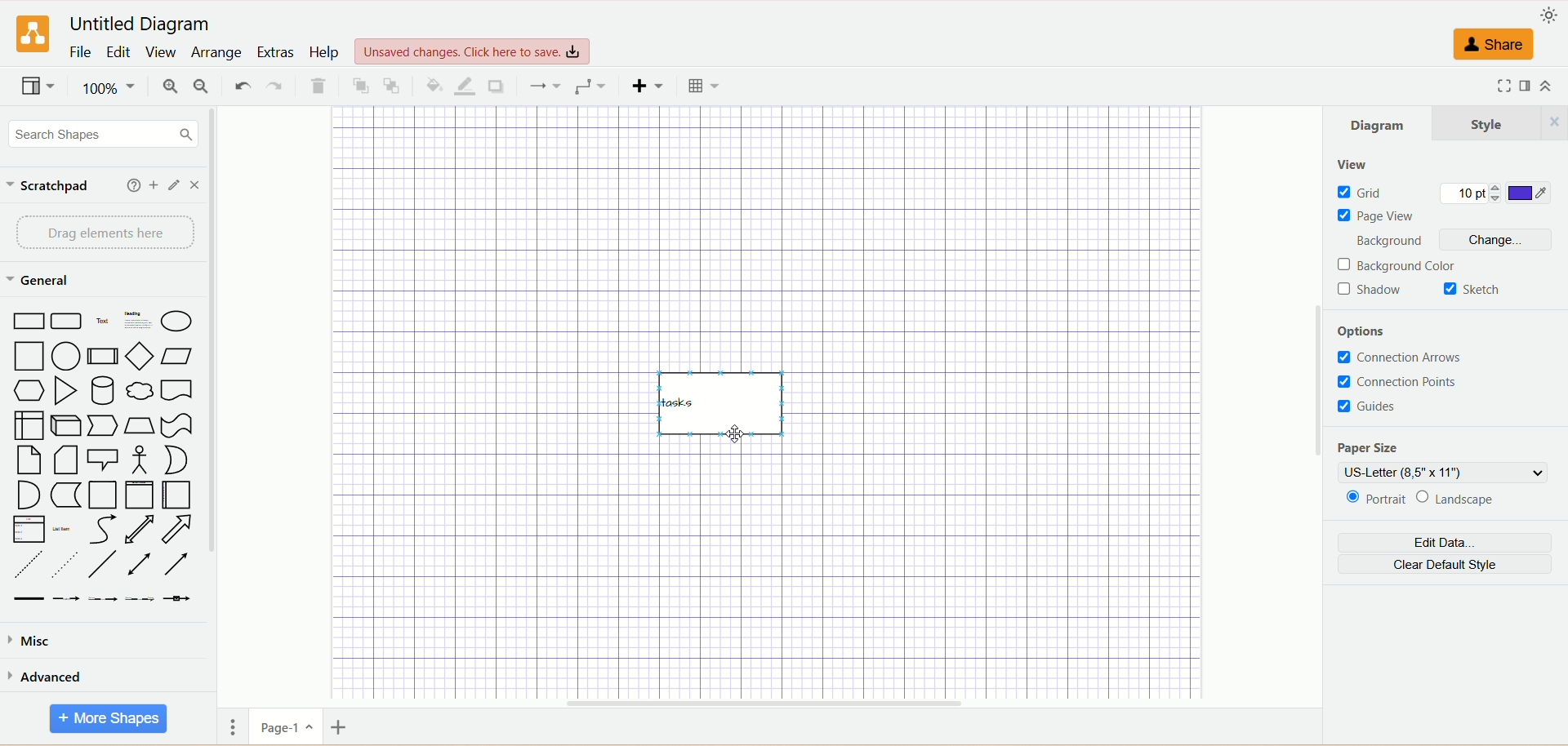  I want to click on tasks, so click(721, 412).